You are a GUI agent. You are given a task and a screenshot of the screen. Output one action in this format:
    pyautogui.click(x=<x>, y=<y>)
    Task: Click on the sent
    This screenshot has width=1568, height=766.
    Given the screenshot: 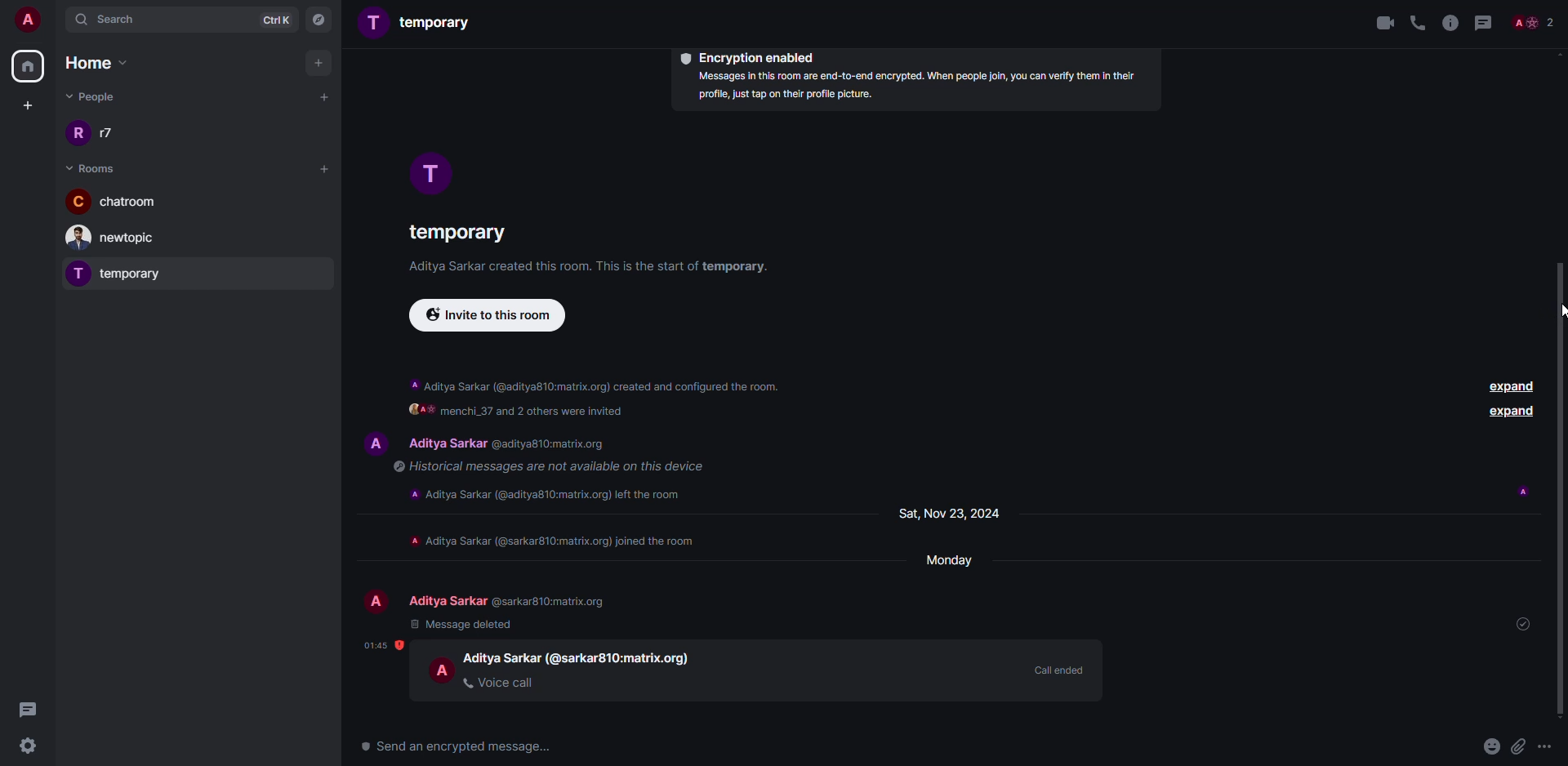 What is the action you would take?
    pyautogui.click(x=1521, y=623)
    